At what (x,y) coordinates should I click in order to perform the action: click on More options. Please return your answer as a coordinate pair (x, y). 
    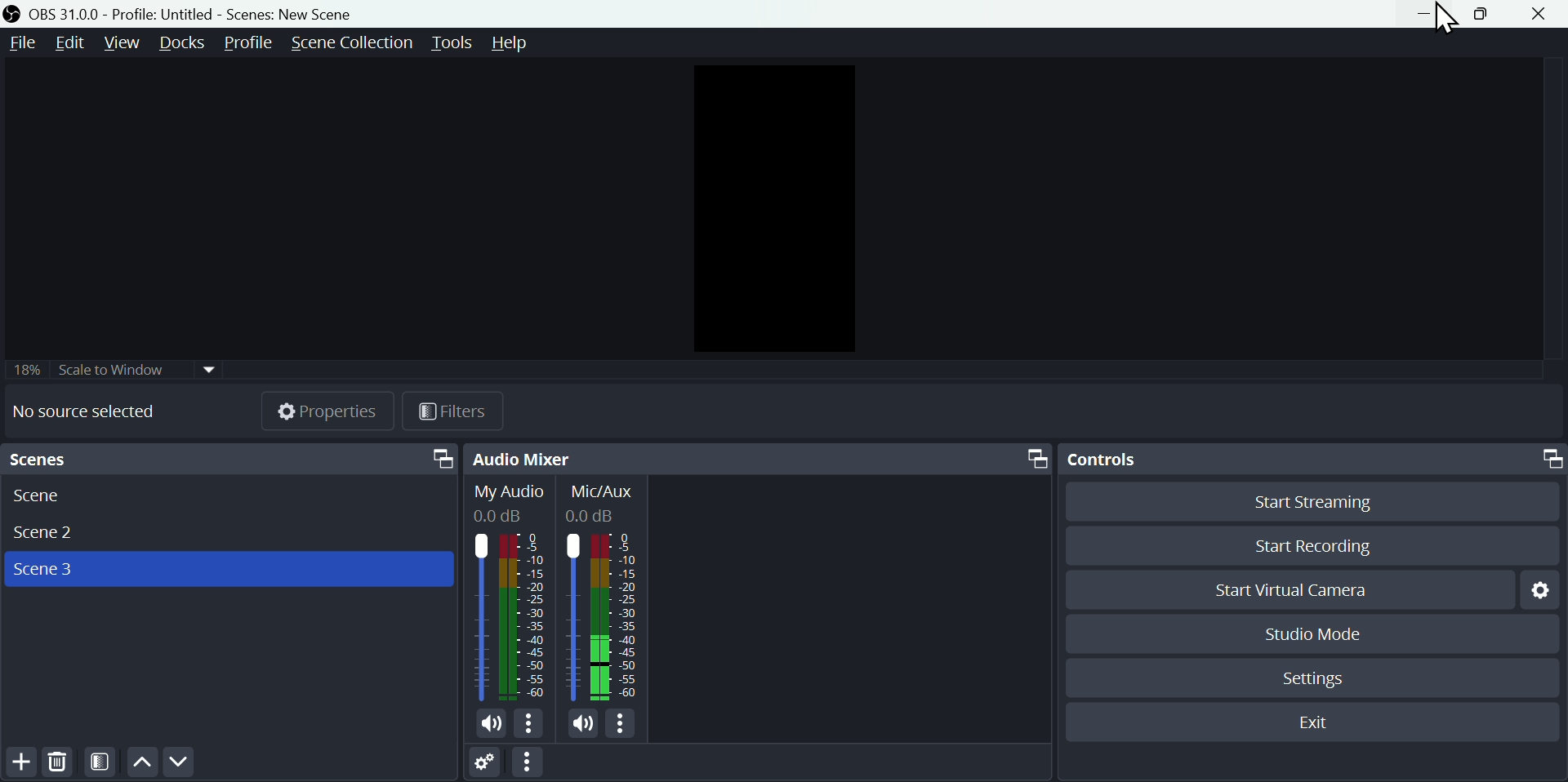
    Looking at the image, I should click on (535, 763).